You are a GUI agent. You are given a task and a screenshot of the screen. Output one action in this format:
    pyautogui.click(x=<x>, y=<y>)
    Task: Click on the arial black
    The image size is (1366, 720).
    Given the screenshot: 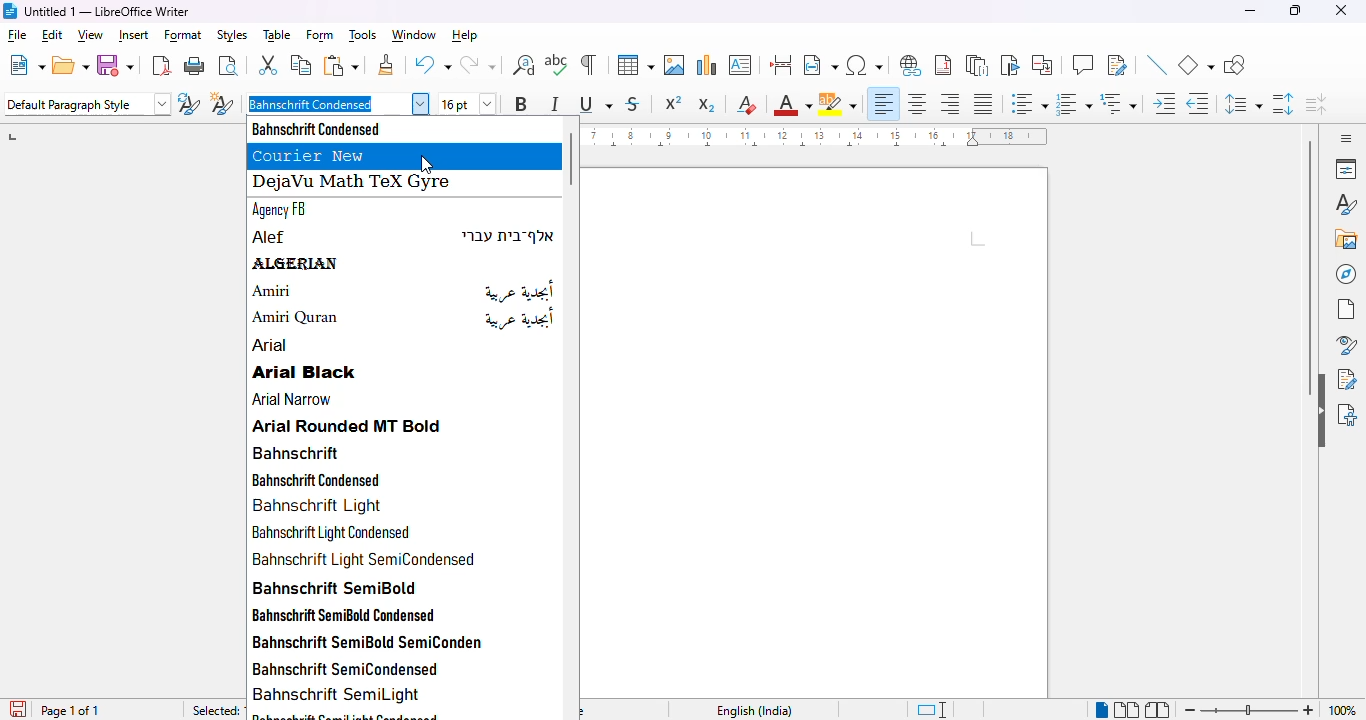 What is the action you would take?
    pyautogui.click(x=307, y=372)
    